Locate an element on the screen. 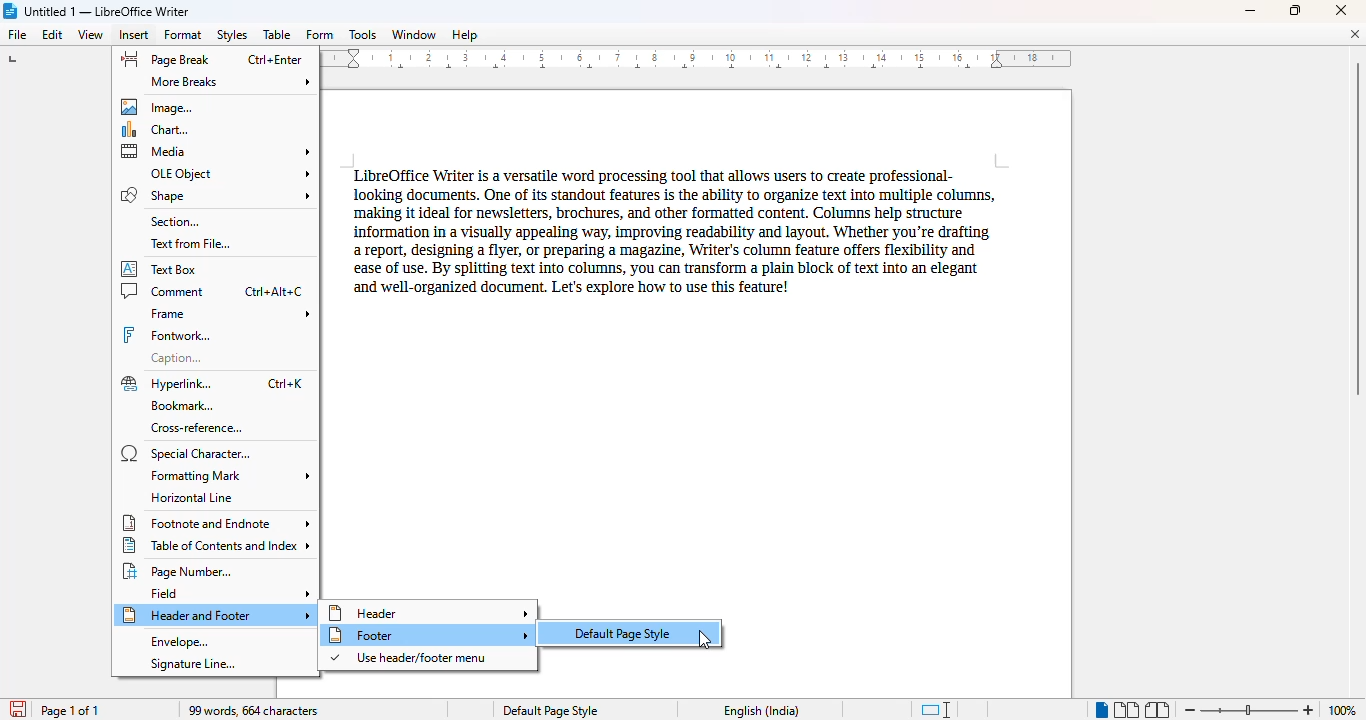 The height and width of the screenshot is (720, 1366). hyperlink is located at coordinates (213, 383).